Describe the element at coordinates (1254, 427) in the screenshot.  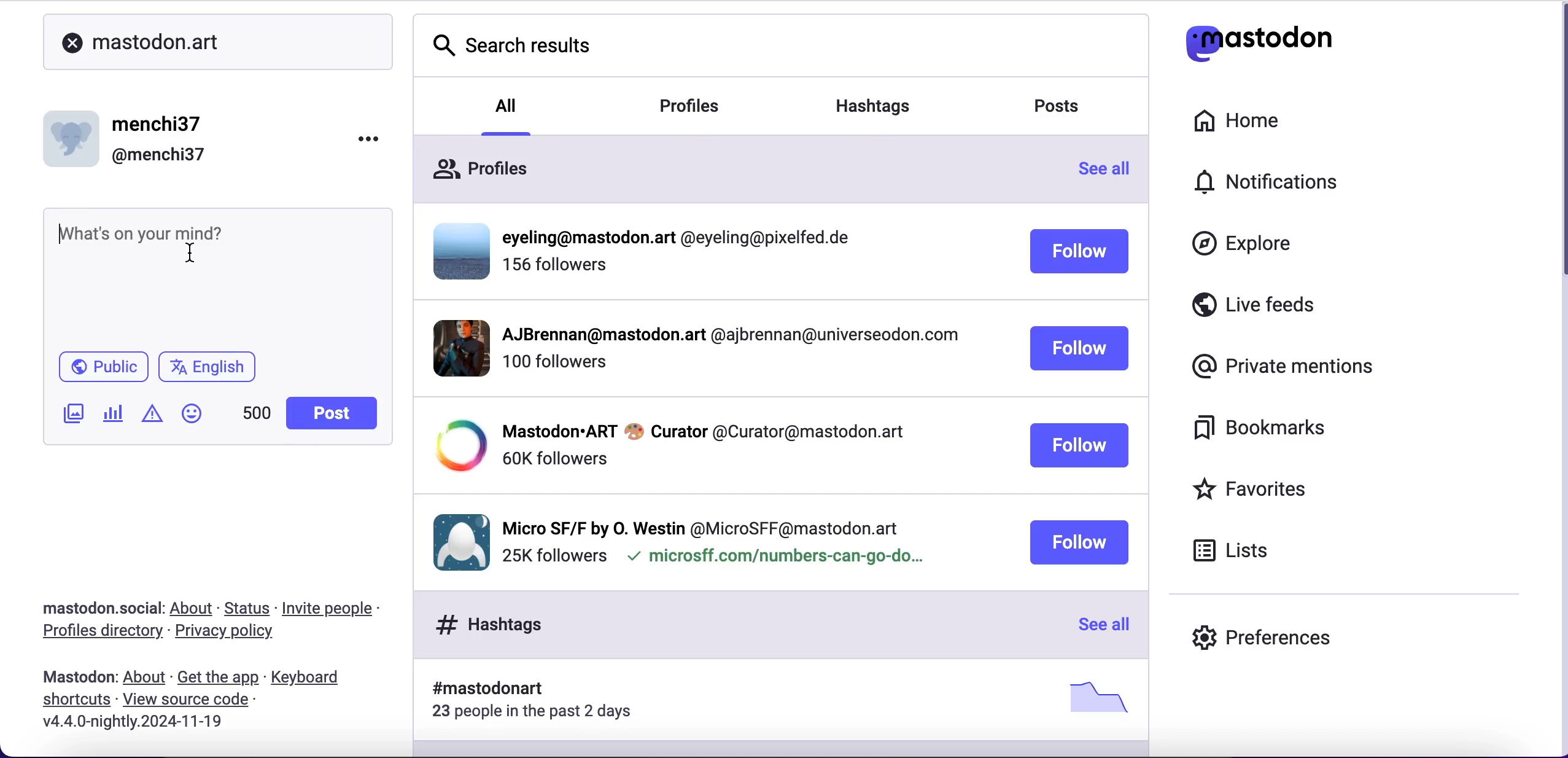
I see `bookmarks` at that location.